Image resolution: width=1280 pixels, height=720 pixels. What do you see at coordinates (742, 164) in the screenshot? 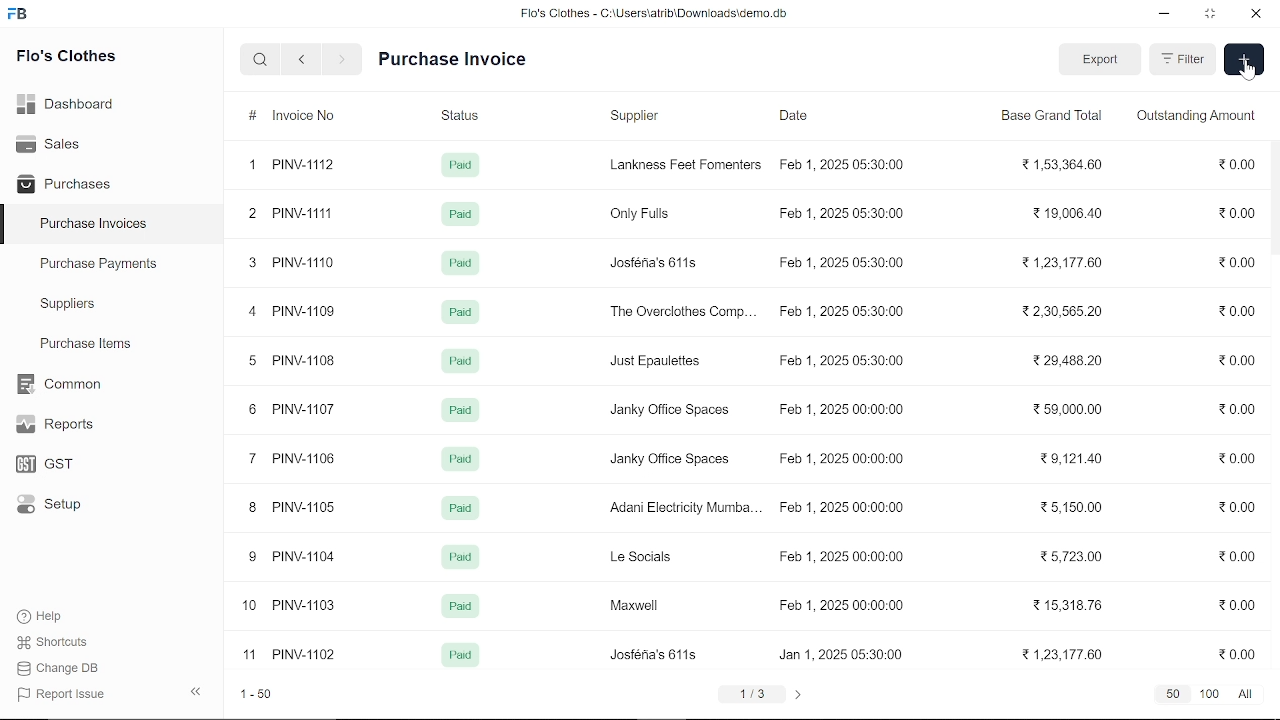
I see `1 PINV-1112 Paid Lankness Feet Fomenters Feb 1, 2025 05:30:00 21,53,364.60 20.00` at bounding box center [742, 164].